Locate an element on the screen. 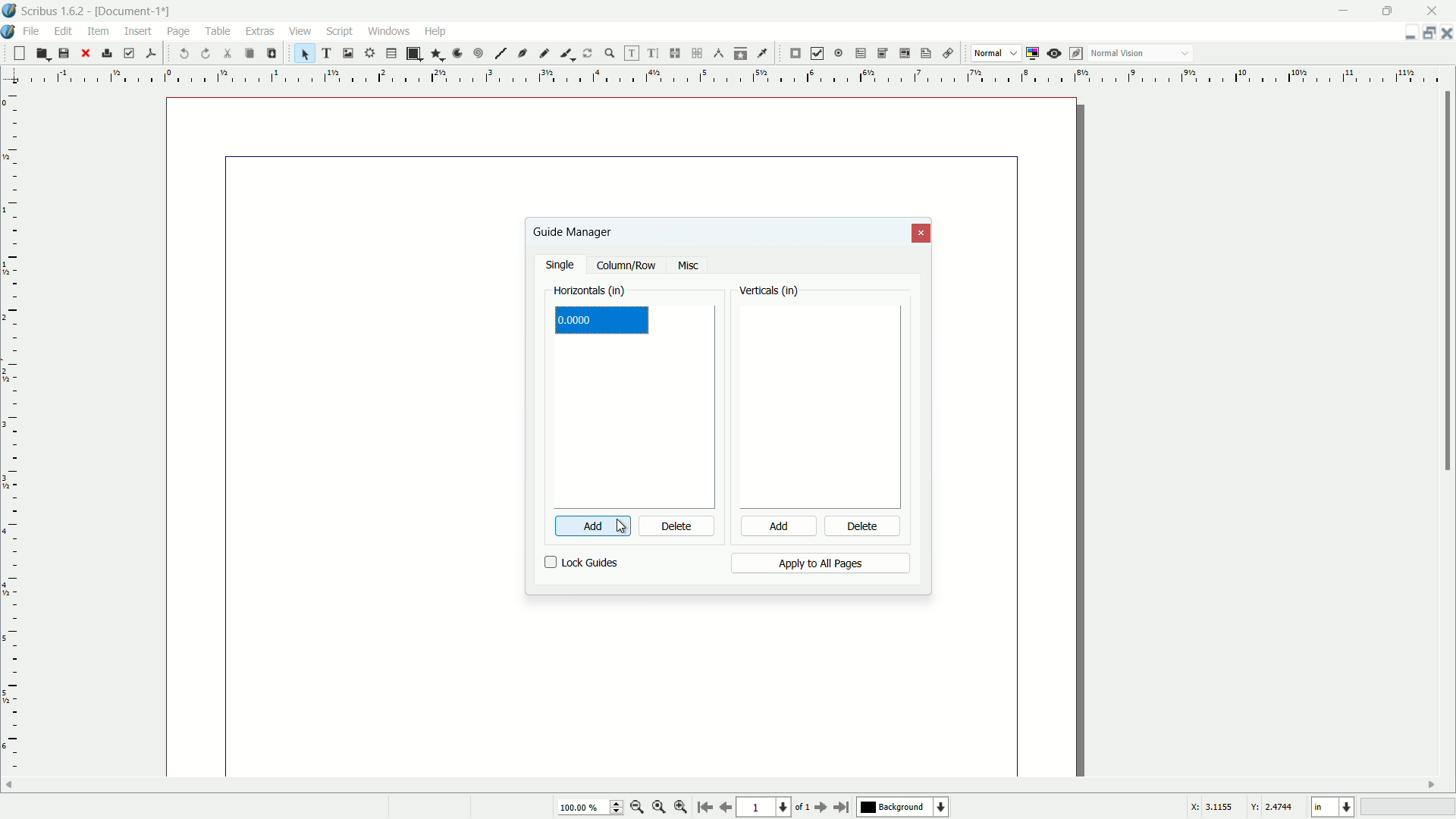  select item is located at coordinates (305, 53).